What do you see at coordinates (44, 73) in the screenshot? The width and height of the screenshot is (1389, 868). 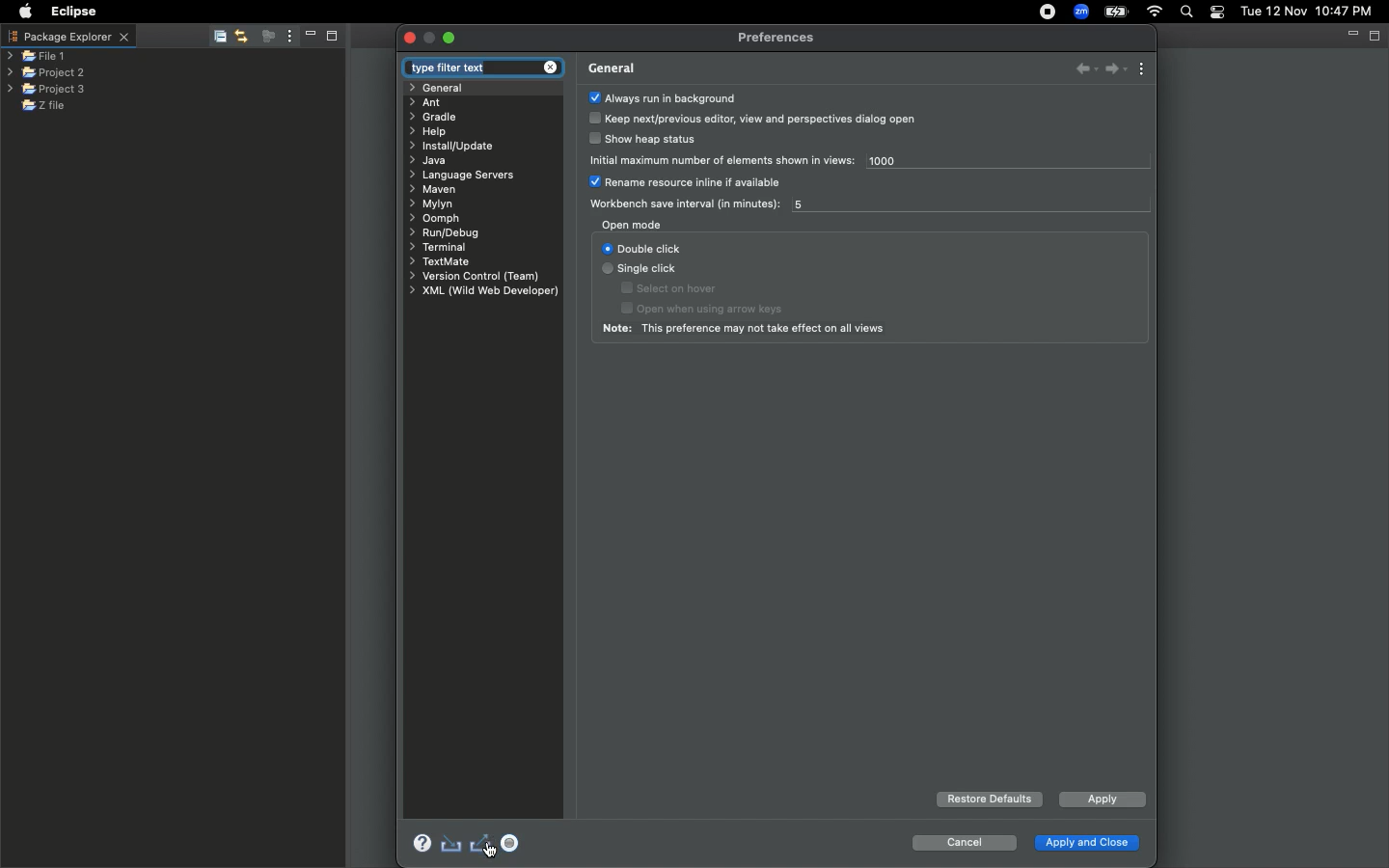 I see `Project 2` at bounding box center [44, 73].